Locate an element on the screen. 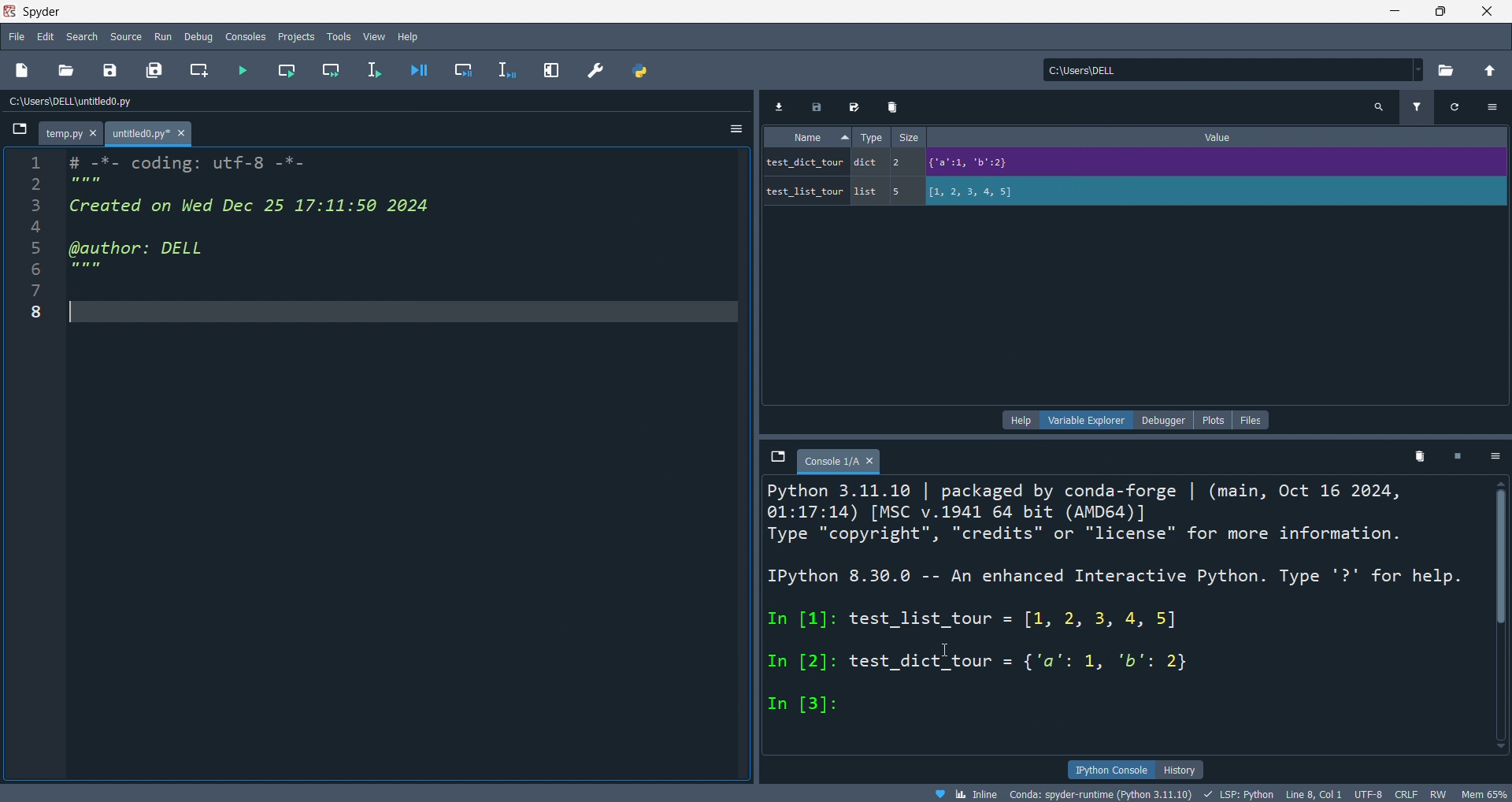 The image size is (1512, 802). expand pane is located at coordinates (550, 71).